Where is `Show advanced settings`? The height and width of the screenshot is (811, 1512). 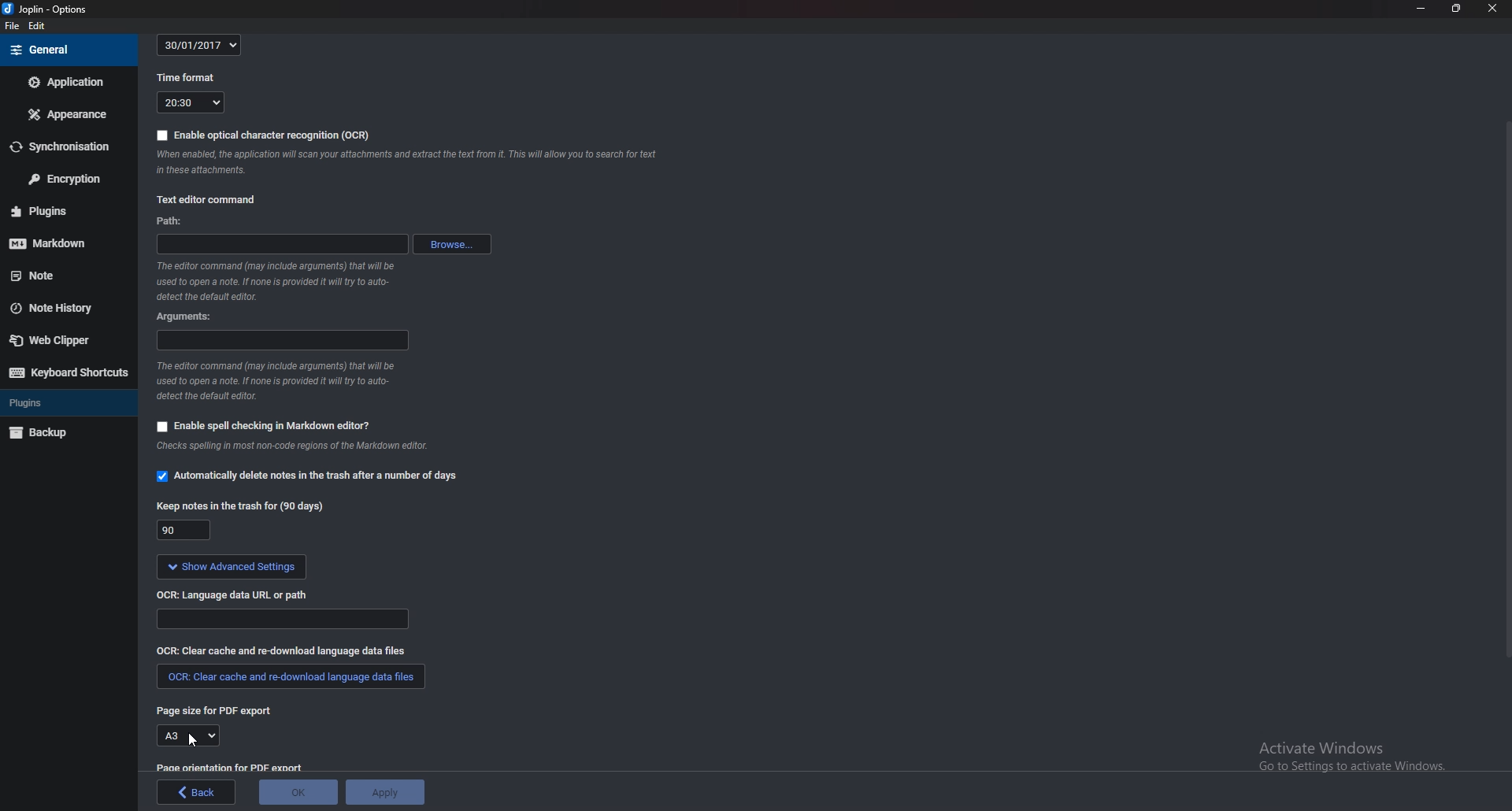
Show advanced settings is located at coordinates (232, 568).